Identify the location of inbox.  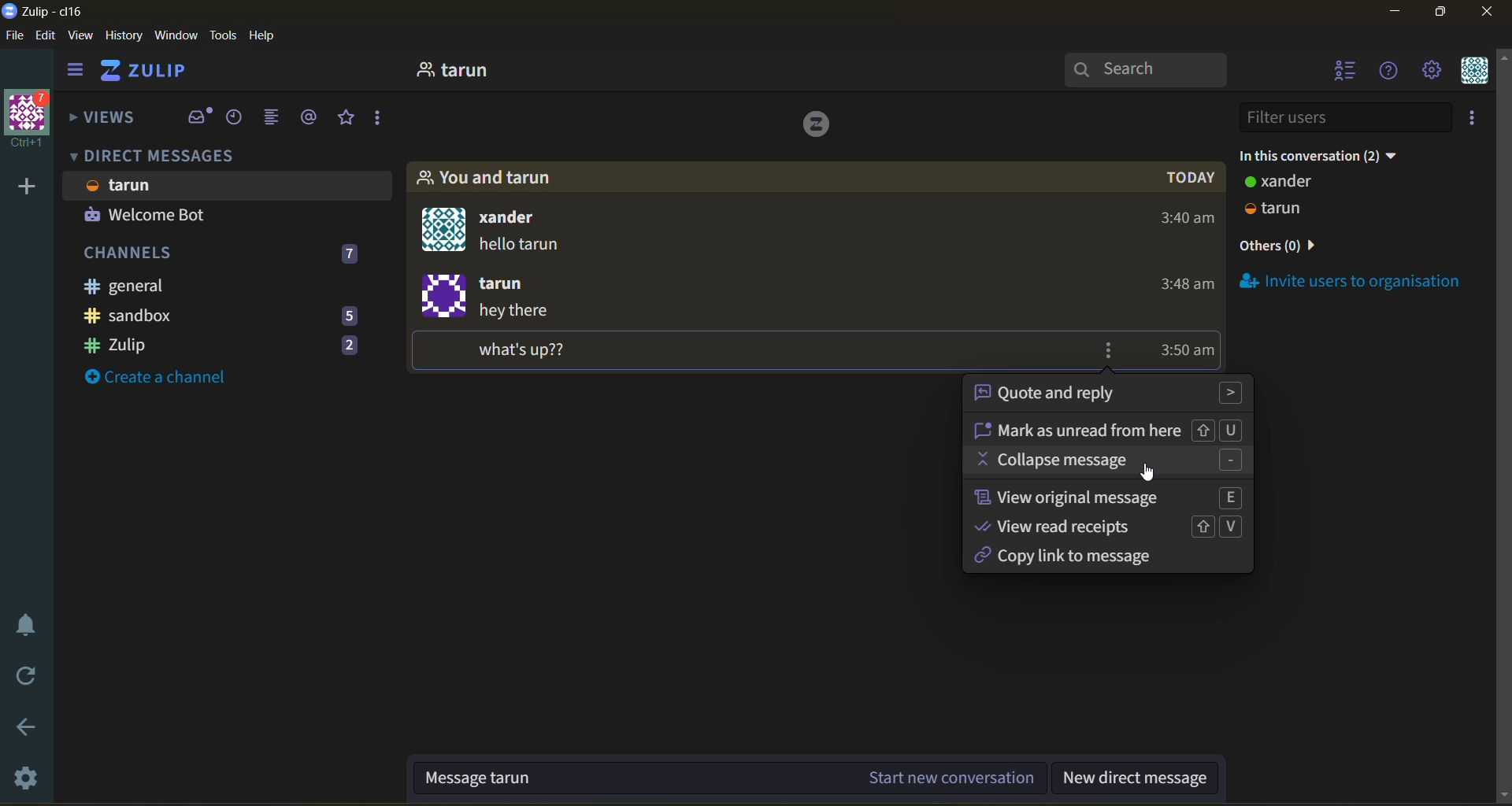
(199, 116).